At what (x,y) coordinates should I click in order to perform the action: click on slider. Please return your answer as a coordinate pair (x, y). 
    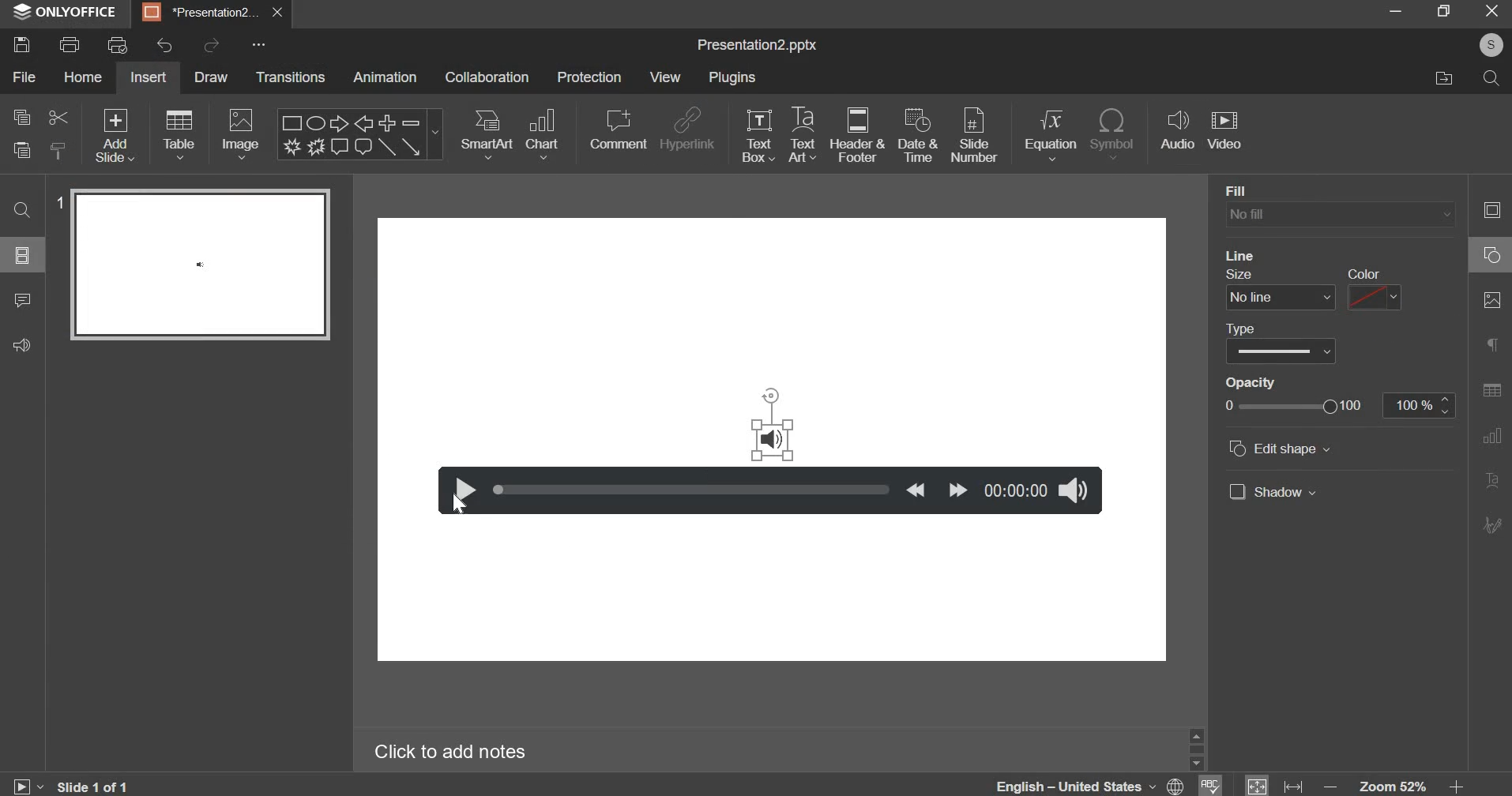
    Looking at the image, I should click on (693, 489).